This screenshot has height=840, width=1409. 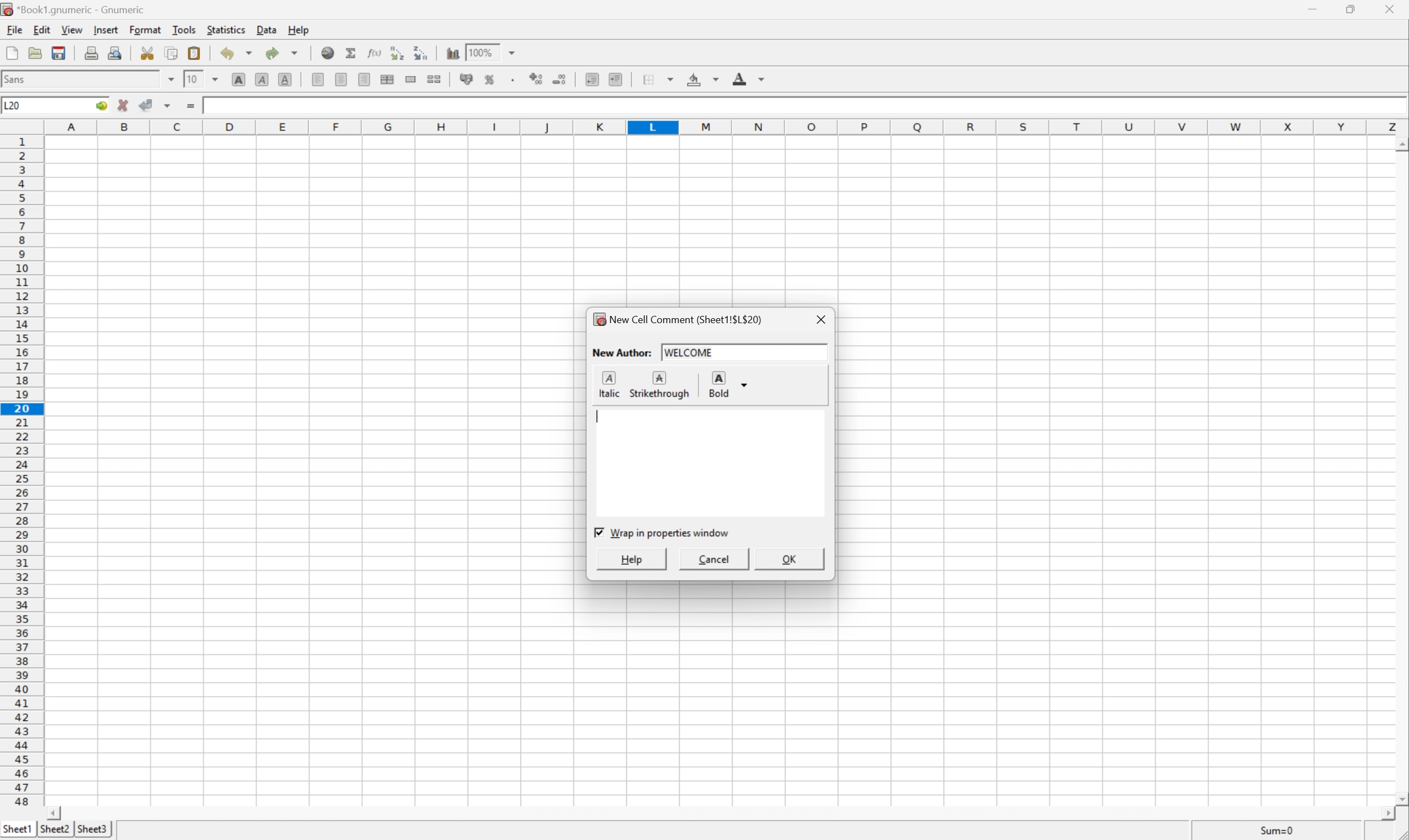 What do you see at coordinates (328, 53) in the screenshot?
I see `Insert a hyperlink` at bounding box center [328, 53].